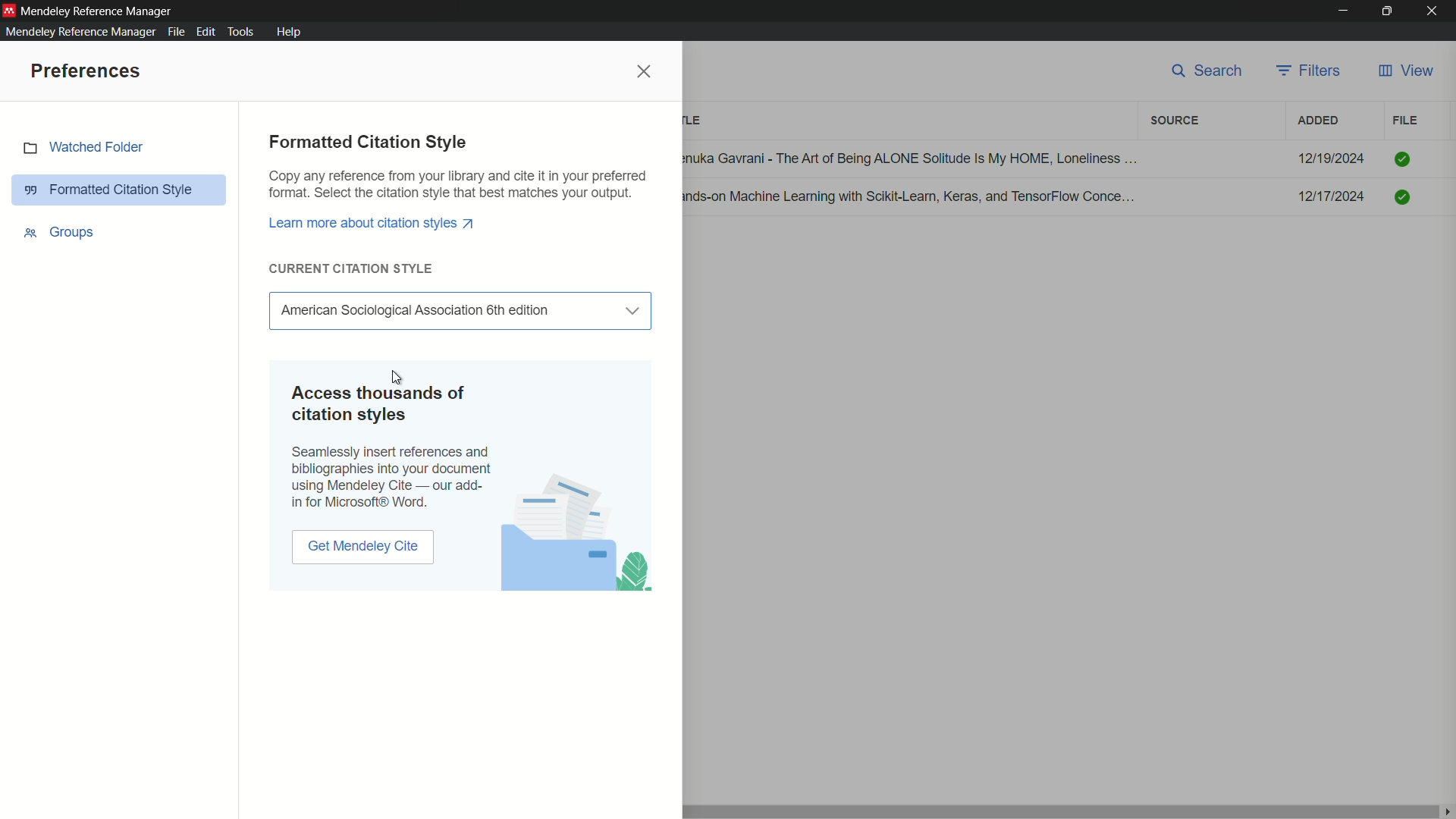  I want to click on filters, so click(1175, 121).